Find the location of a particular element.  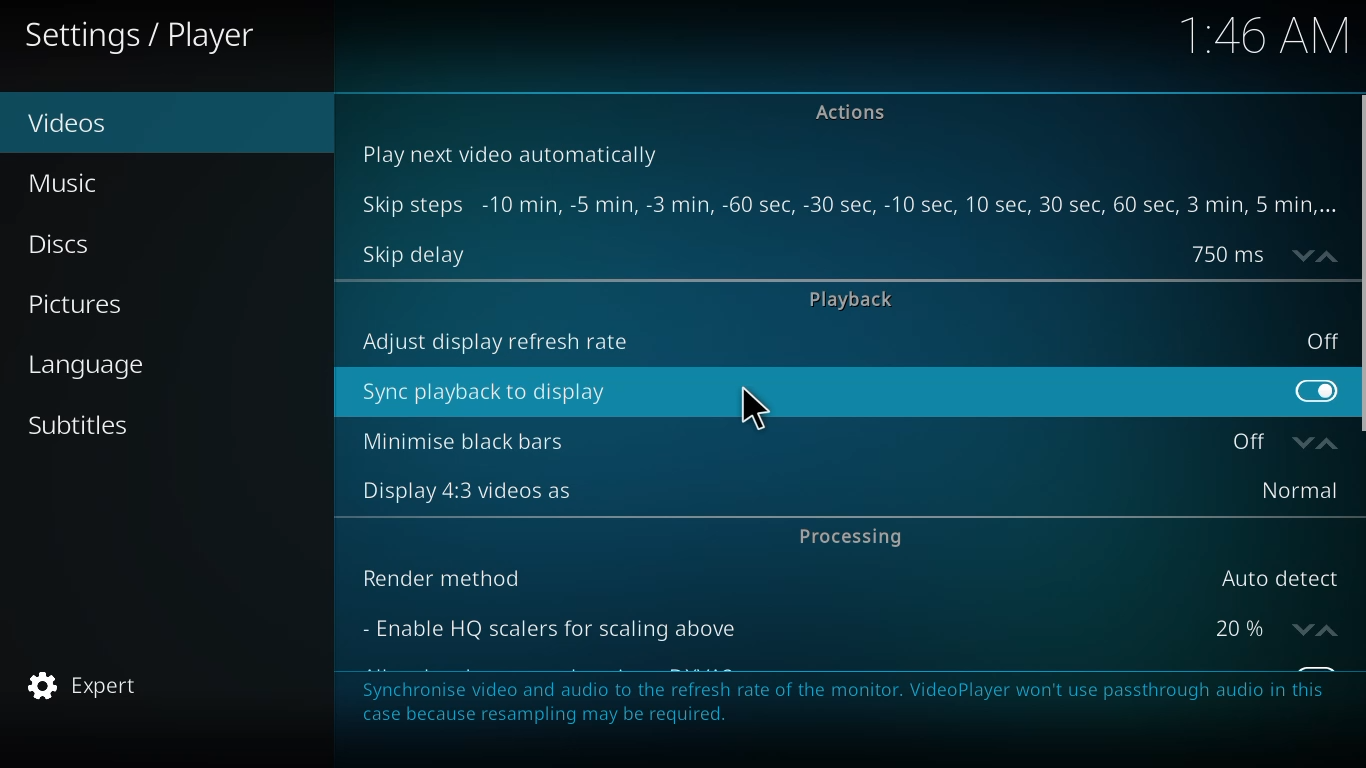

cursor is located at coordinates (756, 405).